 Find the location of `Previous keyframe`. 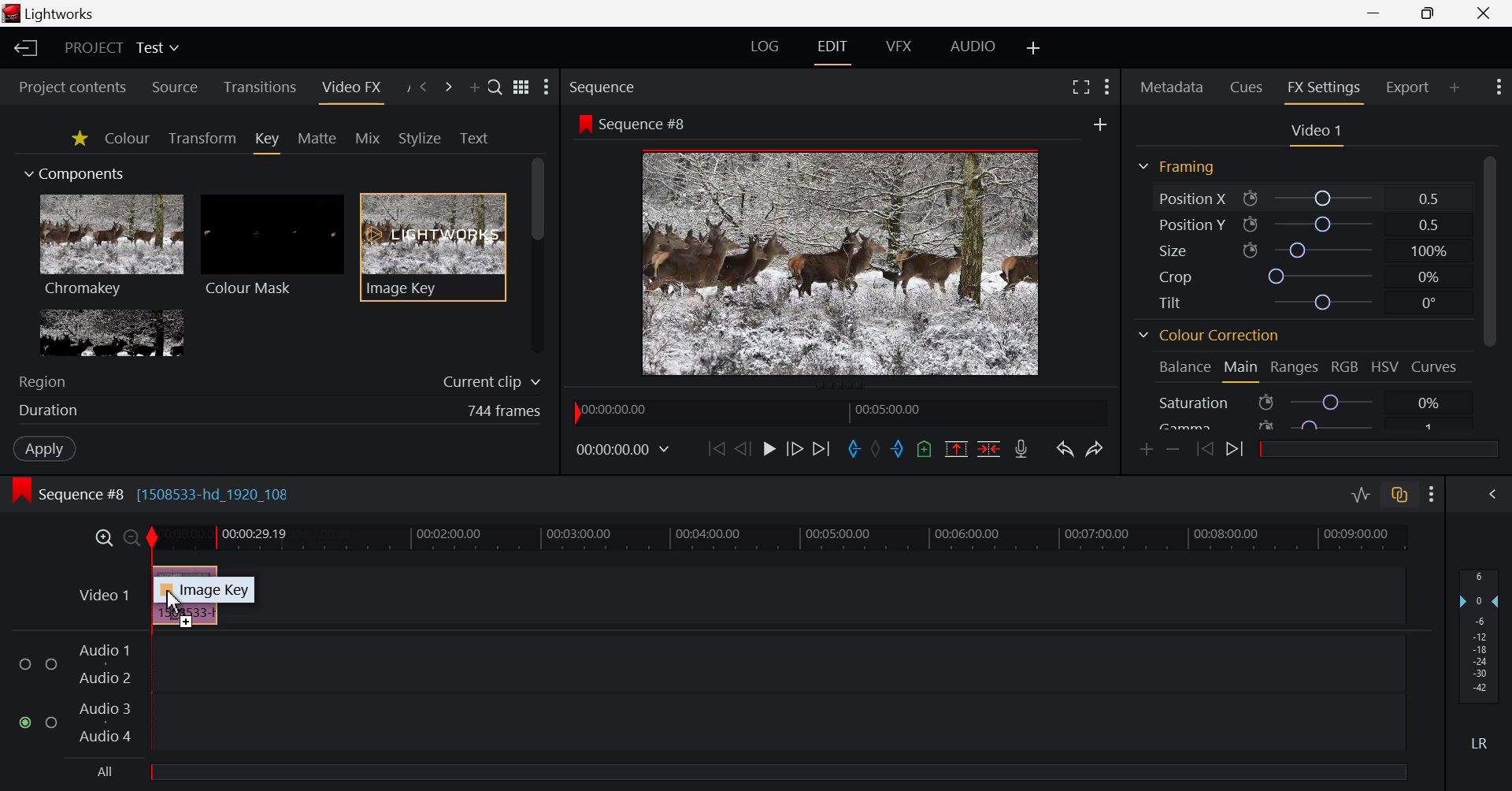

Previous keyframe is located at coordinates (1205, 452).